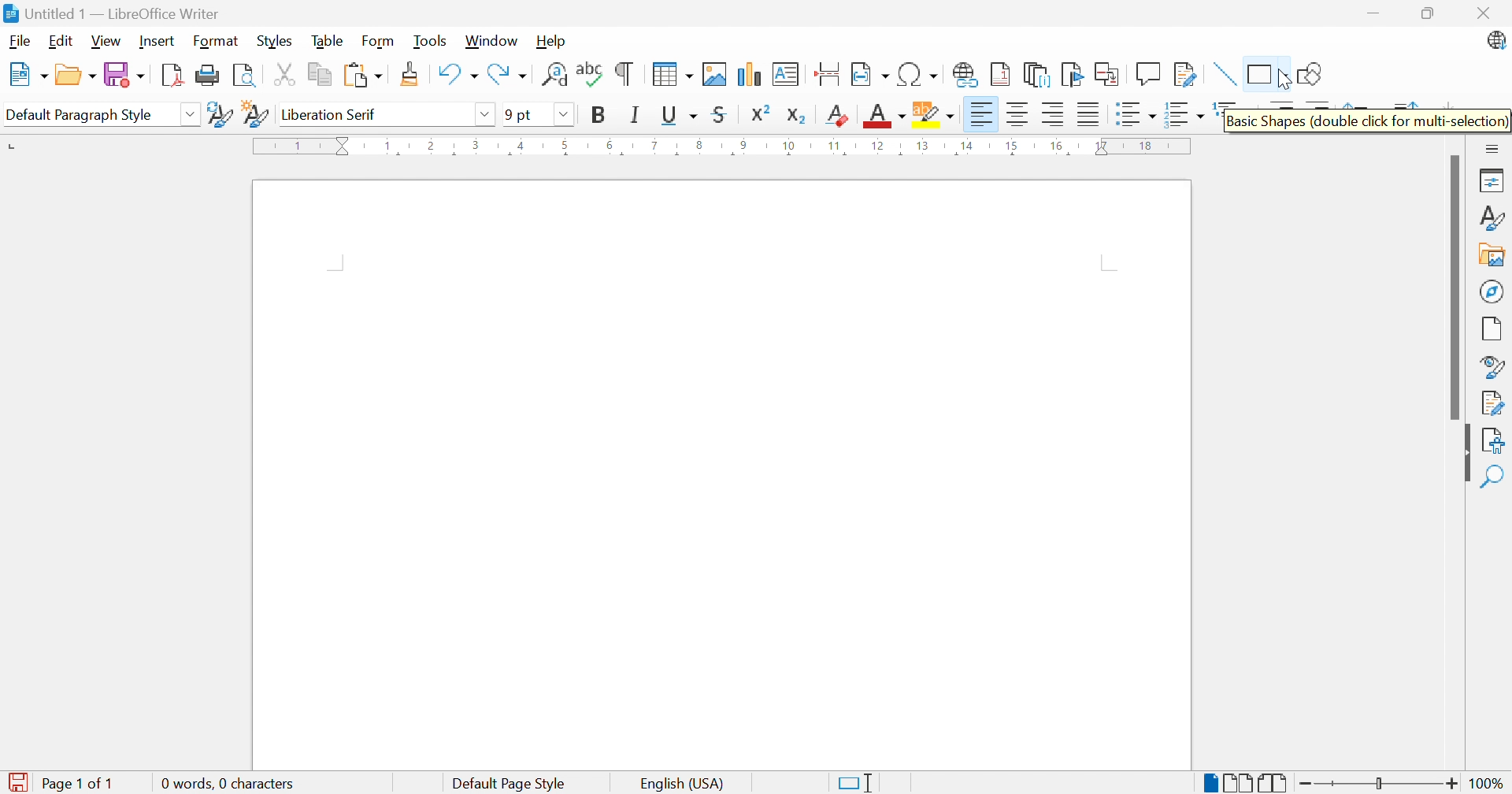  Describe the element at coordinates (839, 114) in the screenshot. I see `Clear direct formatting` at that location.